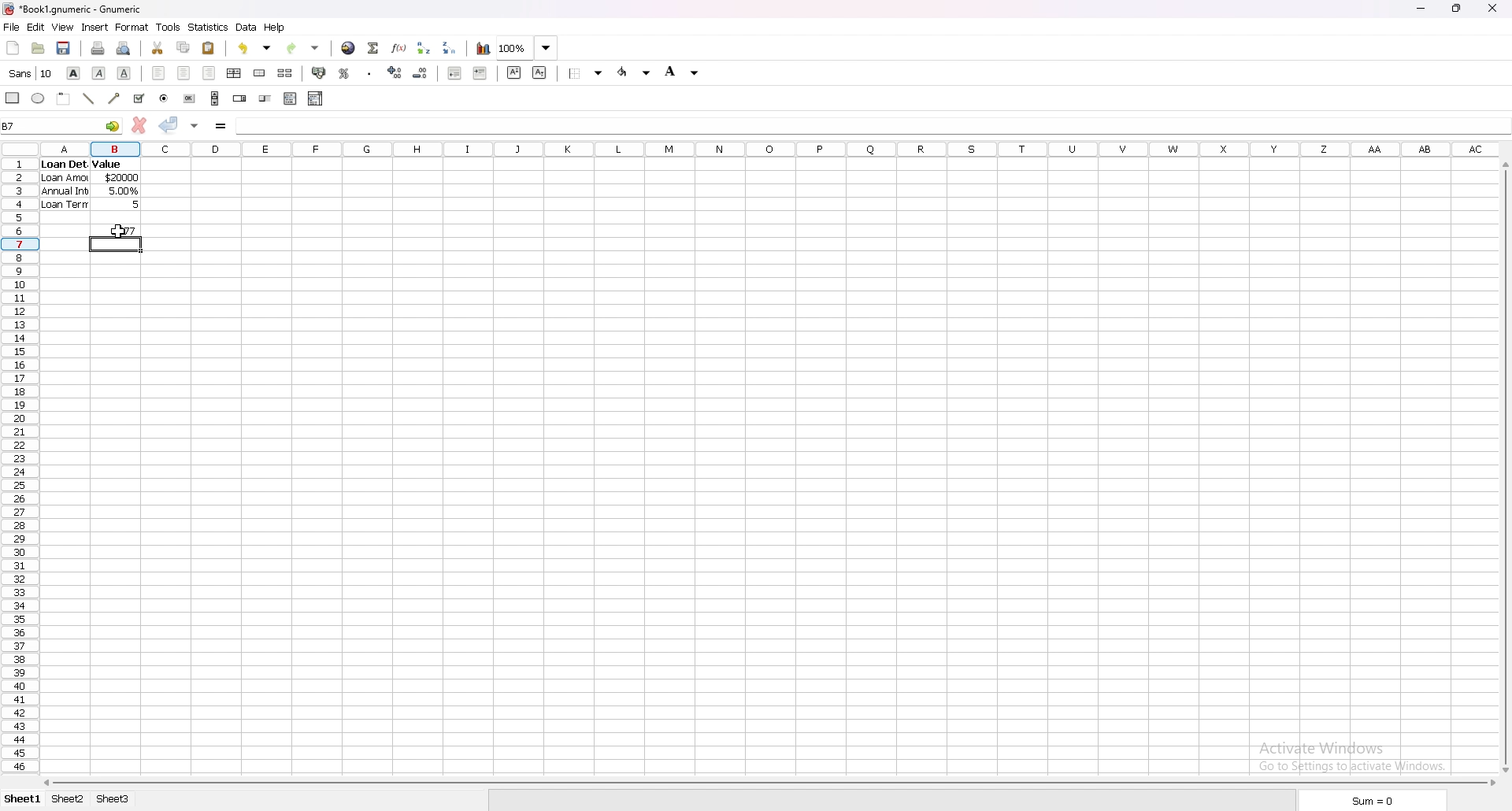 The width and height of the screenshot is (1512, 811). I want to click on formula, so click(220, 127).